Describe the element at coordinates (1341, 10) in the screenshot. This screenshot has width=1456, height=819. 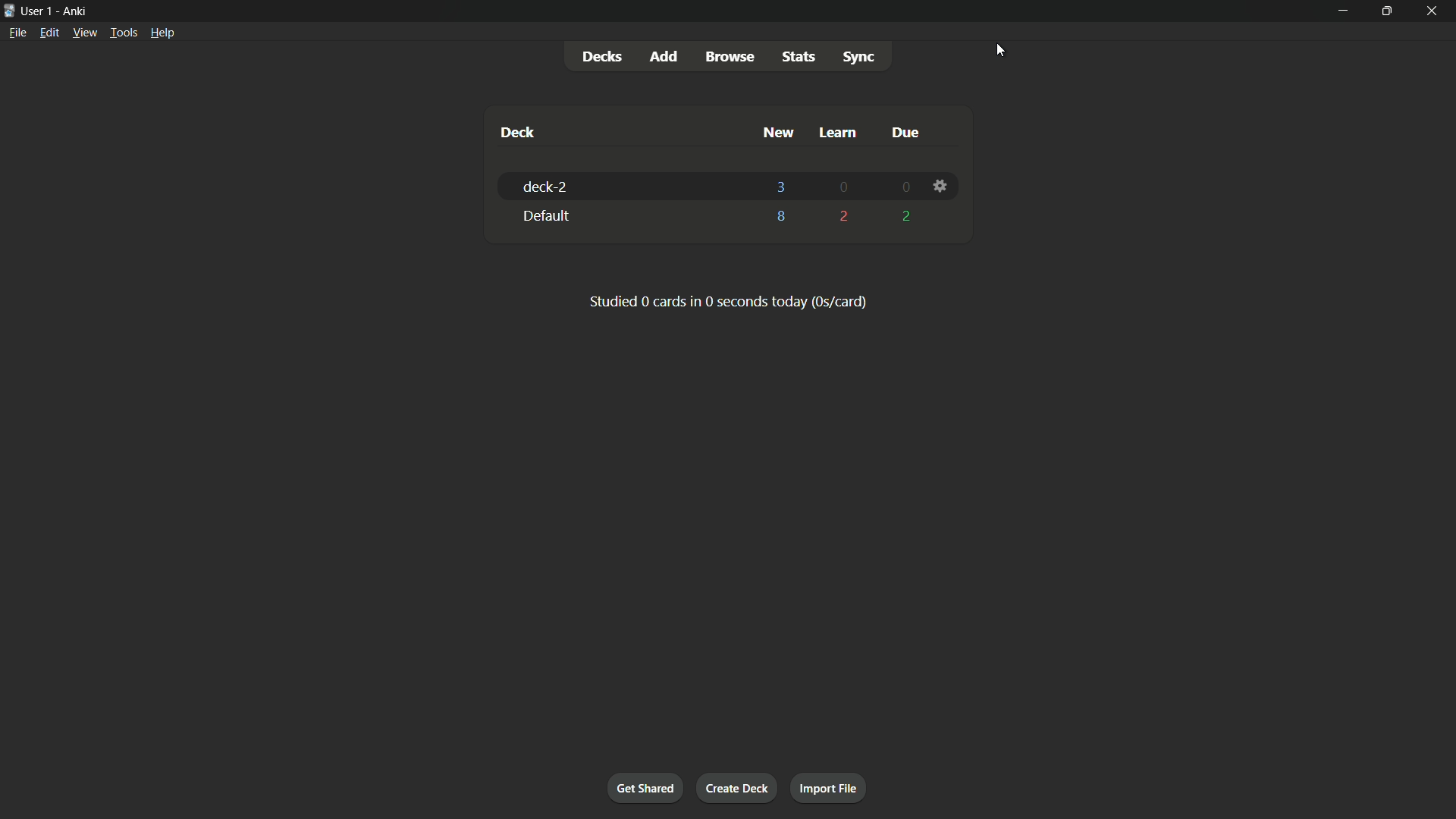
I see `minimize` at that location.